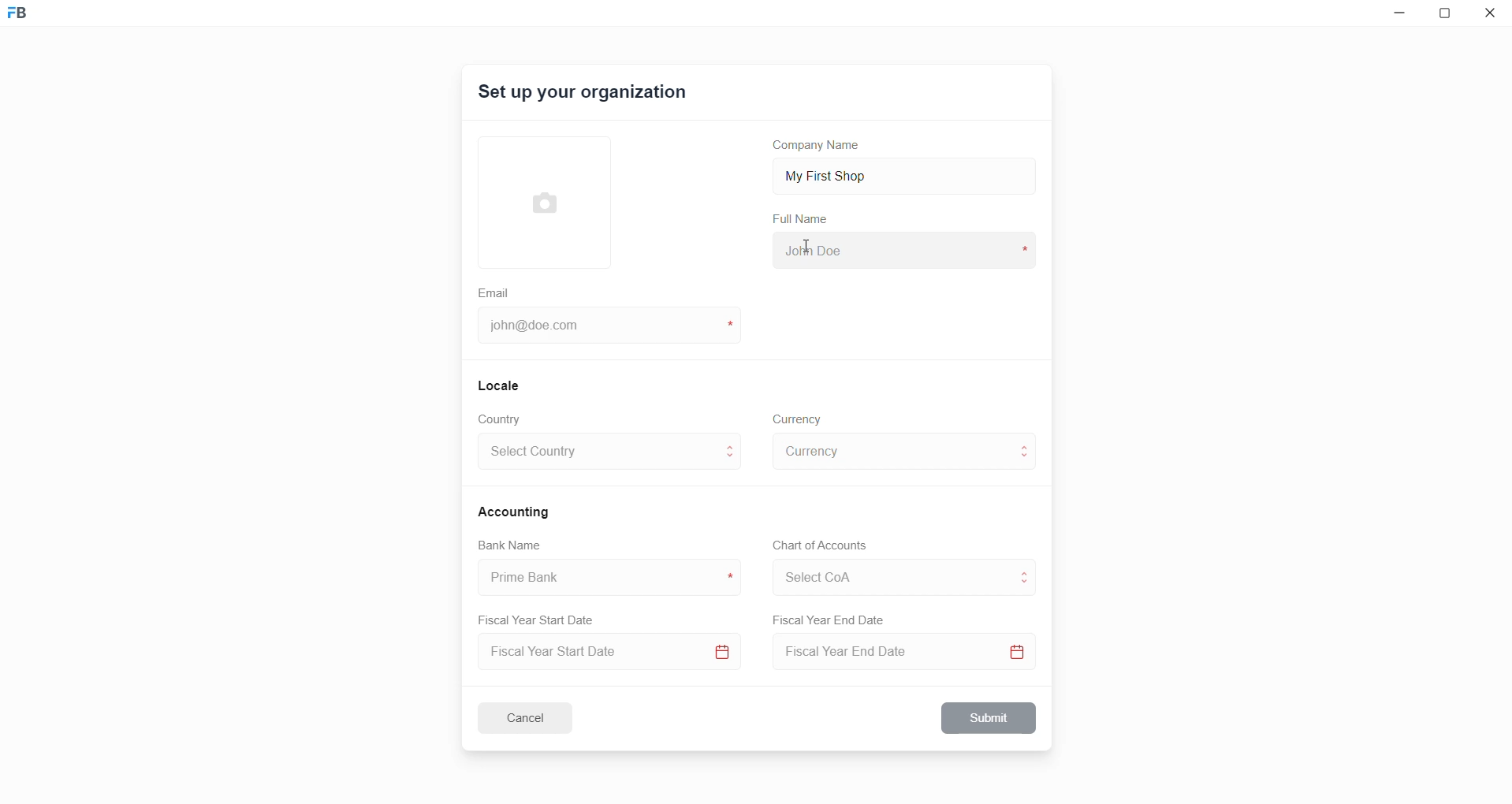  What do you see at coordinates (601, 327) in the screenshot?
I see `email id input box` at bounding box center [601, 327].